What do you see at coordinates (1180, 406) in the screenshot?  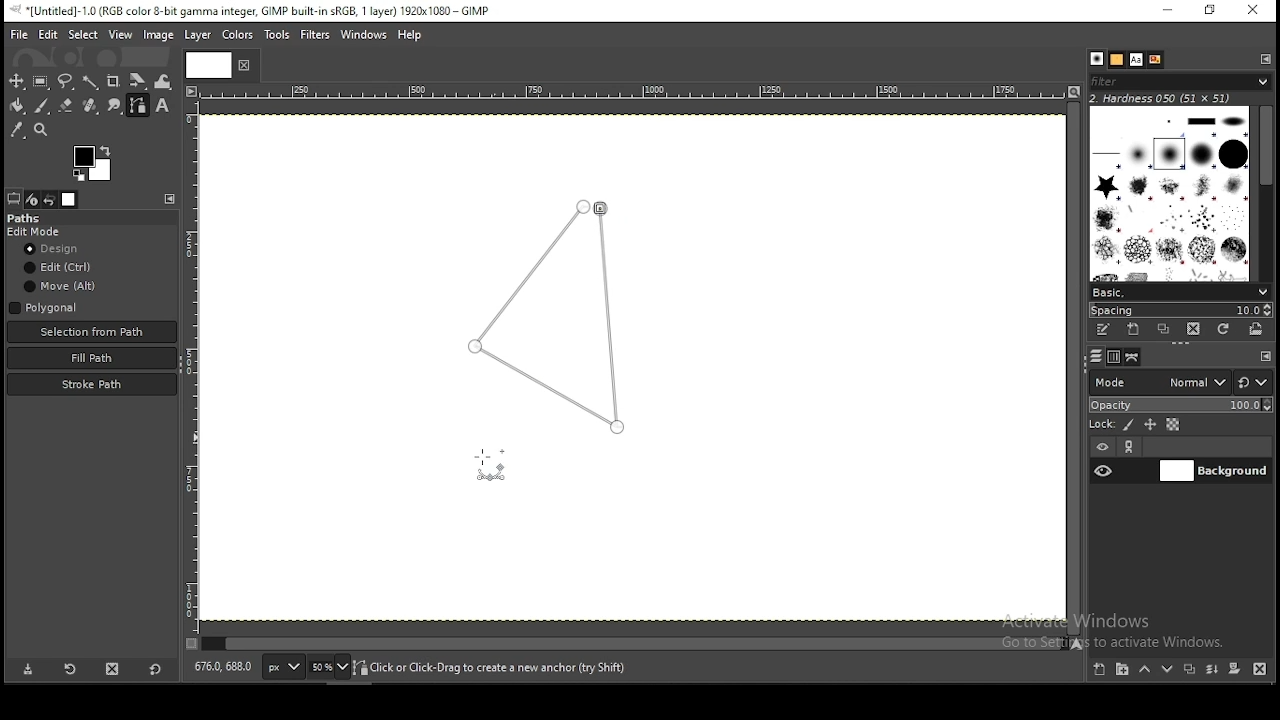 I see `opacity` at bounding box center [1180, 406].